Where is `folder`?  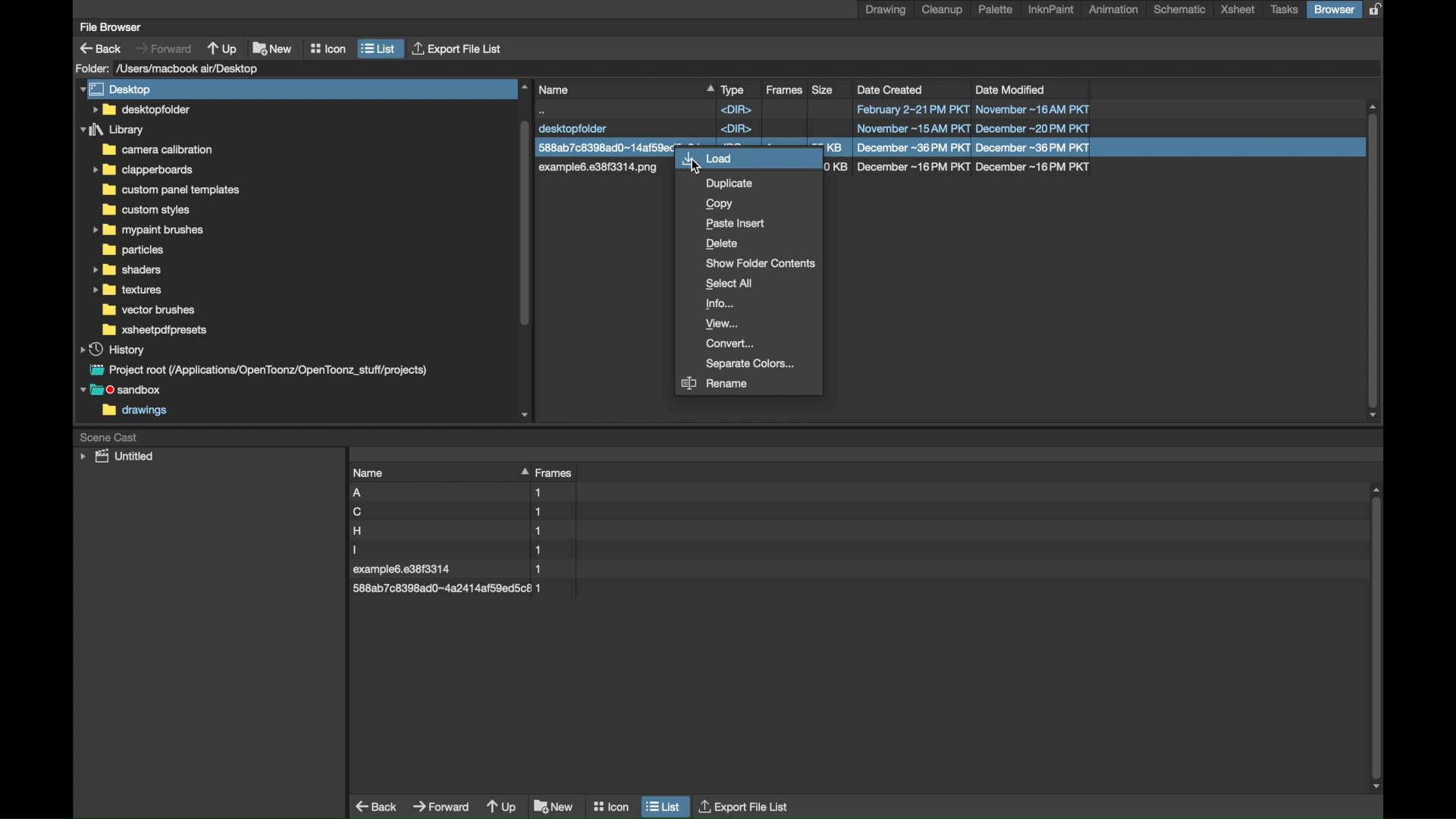
folder is located at coordinates (133, 250).